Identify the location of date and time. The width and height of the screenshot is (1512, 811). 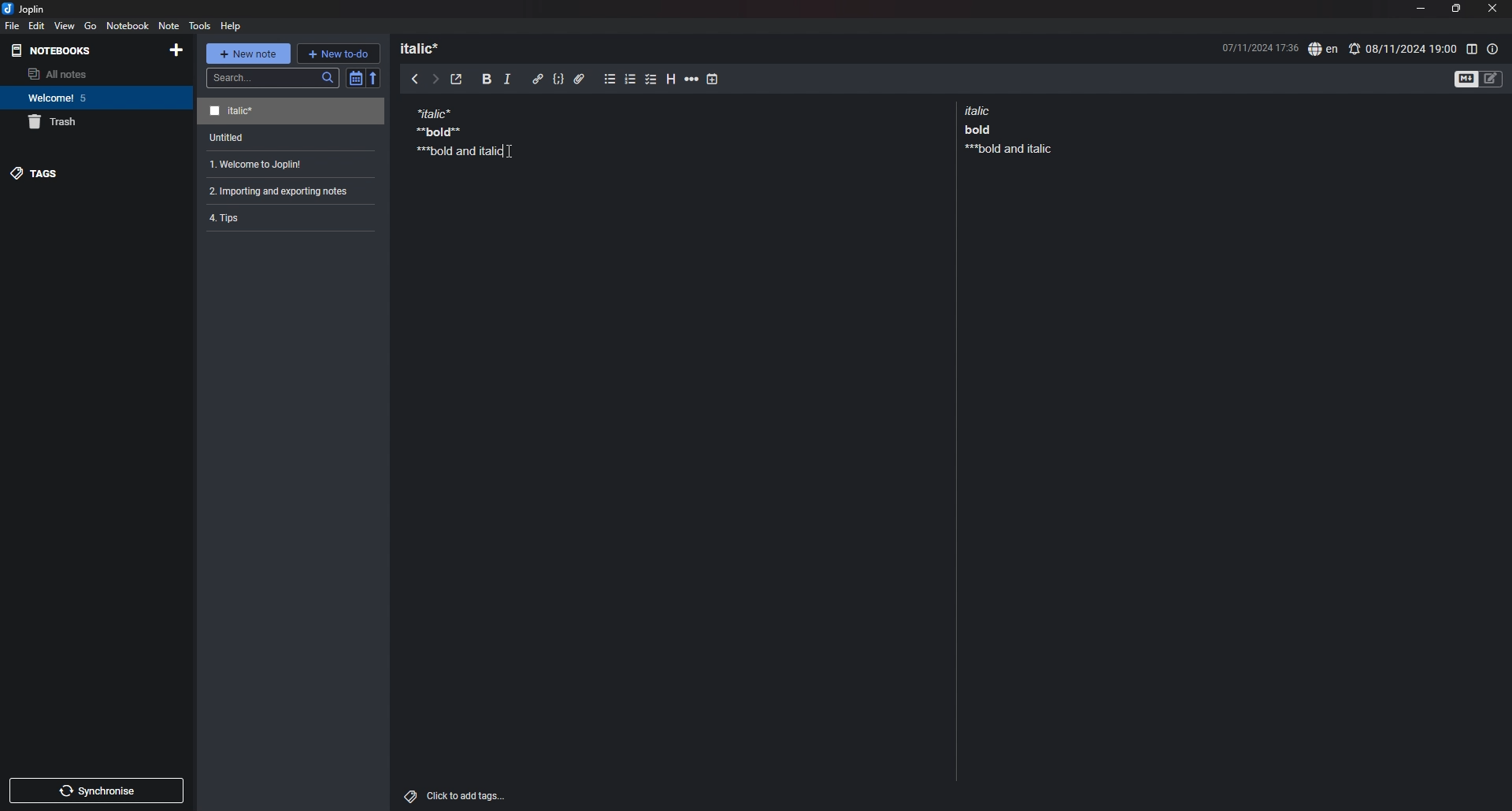
(1259, 46).